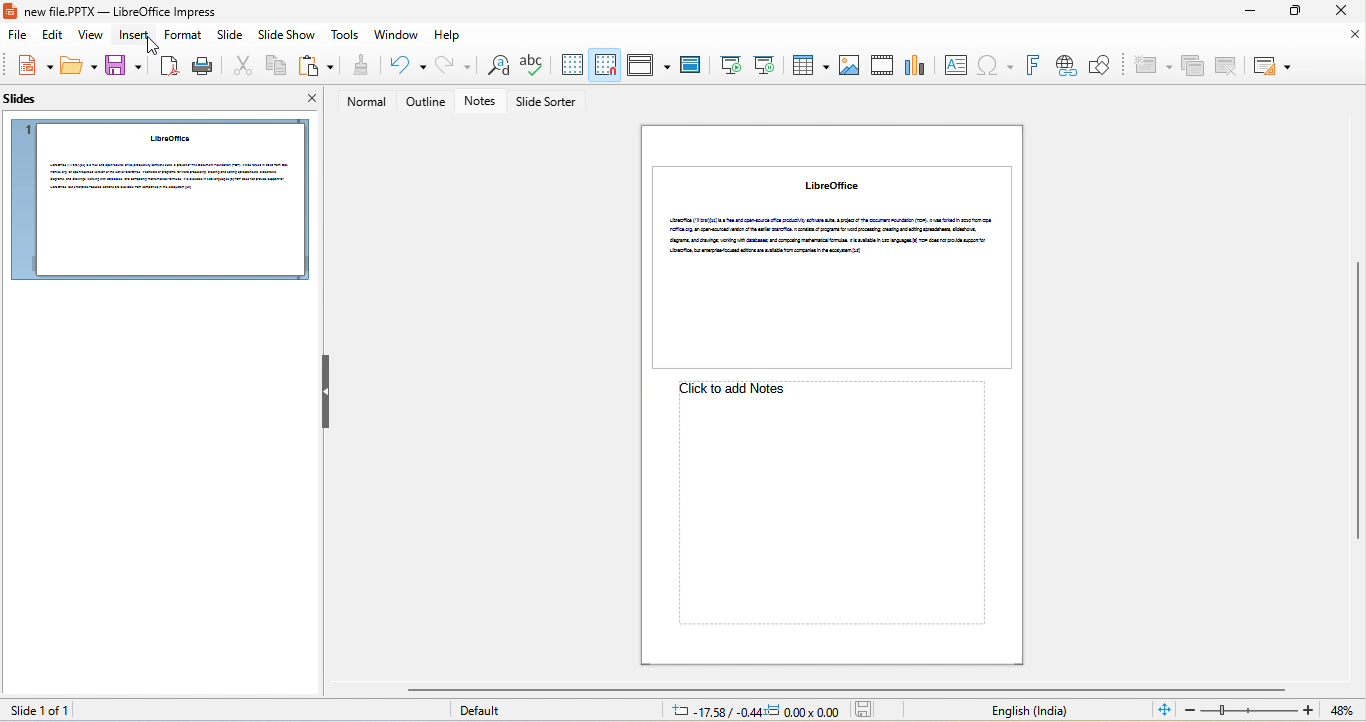 The height and width of the screenshot is (722, 1366). I want to click on normal, so click(361, 102).